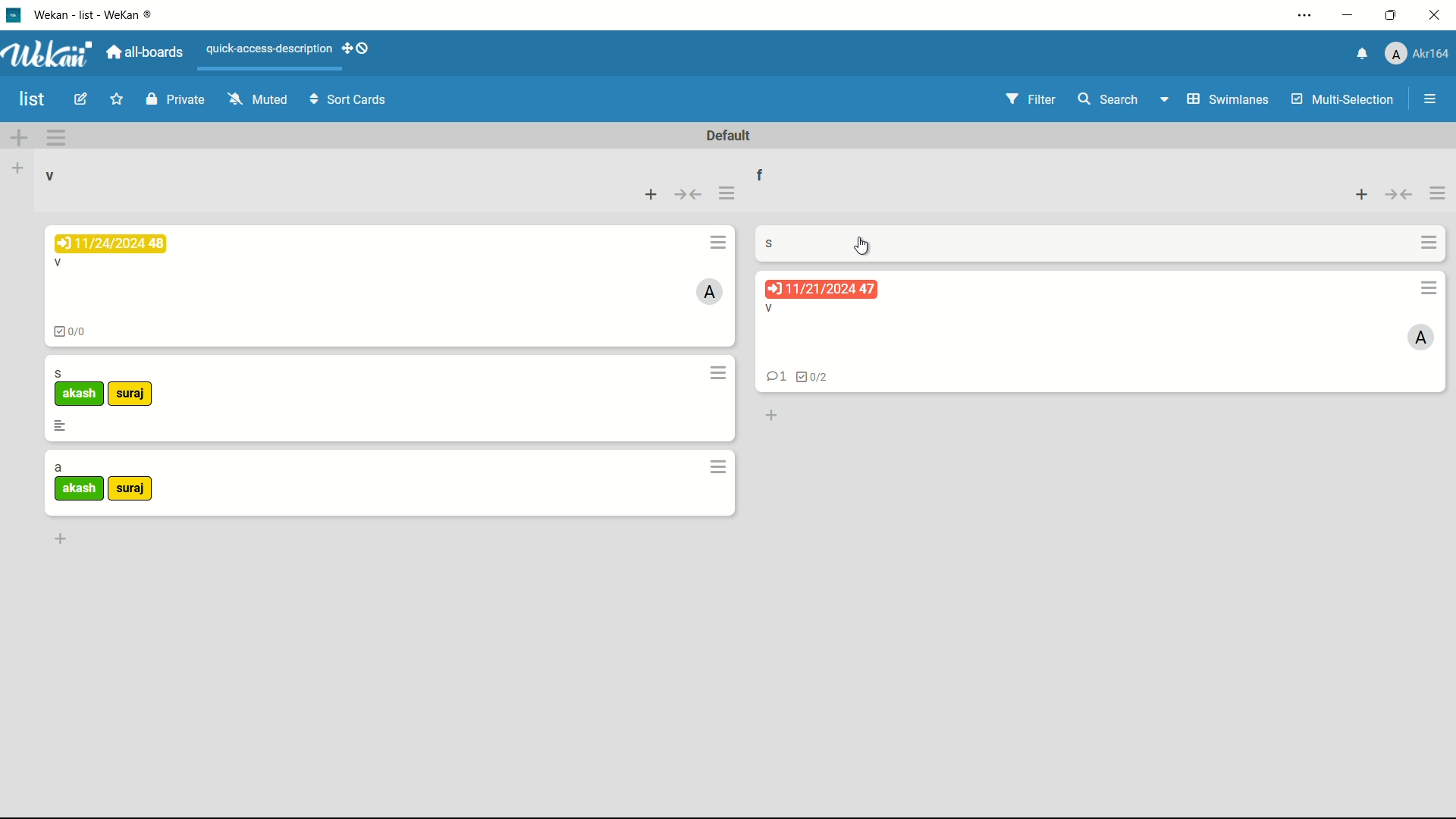 The image size is (1456, 819). Describe the element at coordinates (1307, 15) in the screenshot. I see `settings and more` at that location.